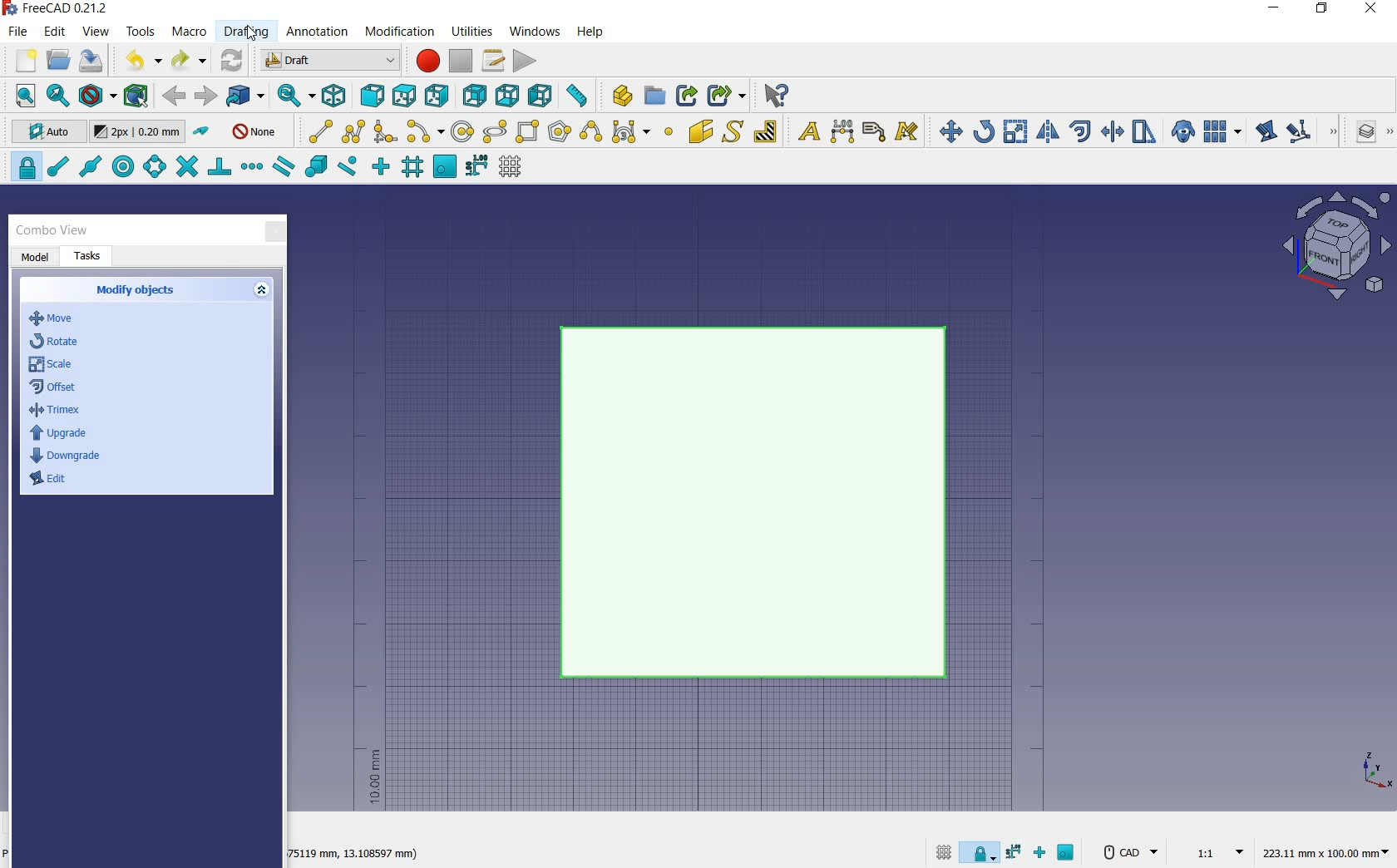 This screenshot has width=1397, height=868. I want to click on modification, so click(402, 33).